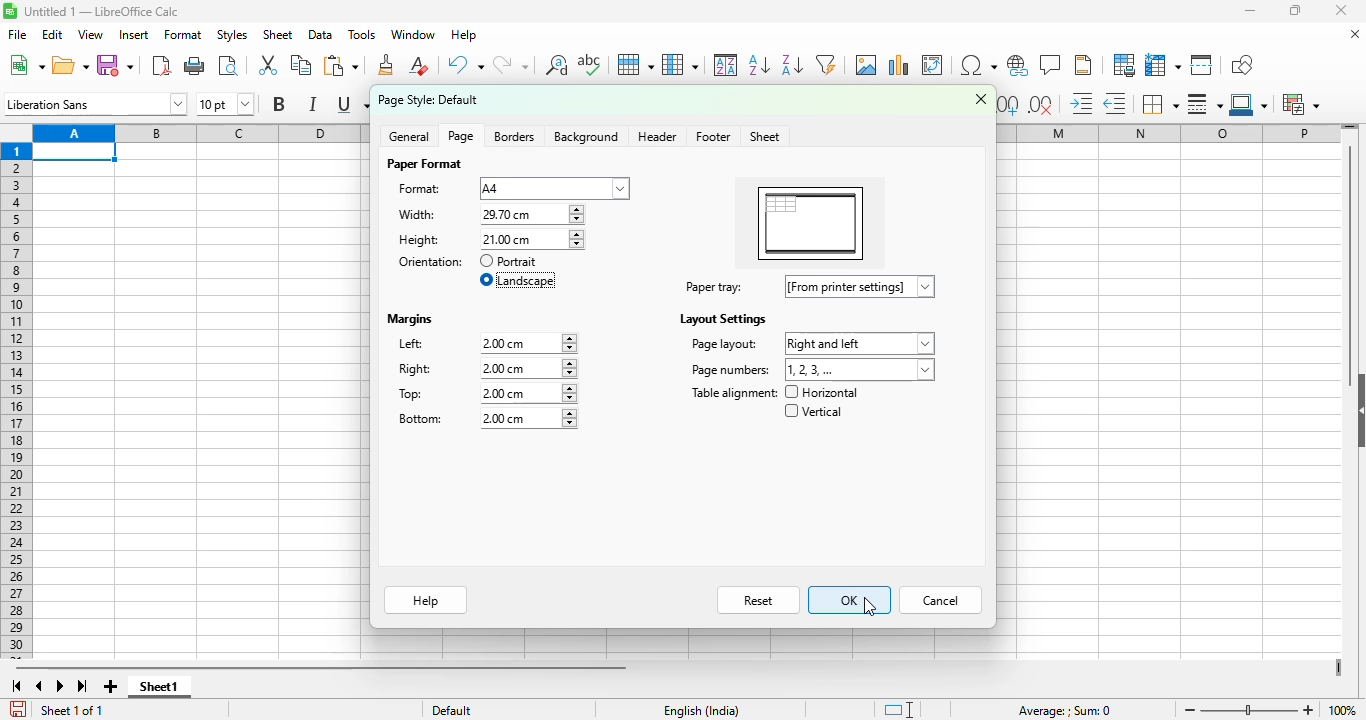  I want to click on orientation, so click(432, 262).